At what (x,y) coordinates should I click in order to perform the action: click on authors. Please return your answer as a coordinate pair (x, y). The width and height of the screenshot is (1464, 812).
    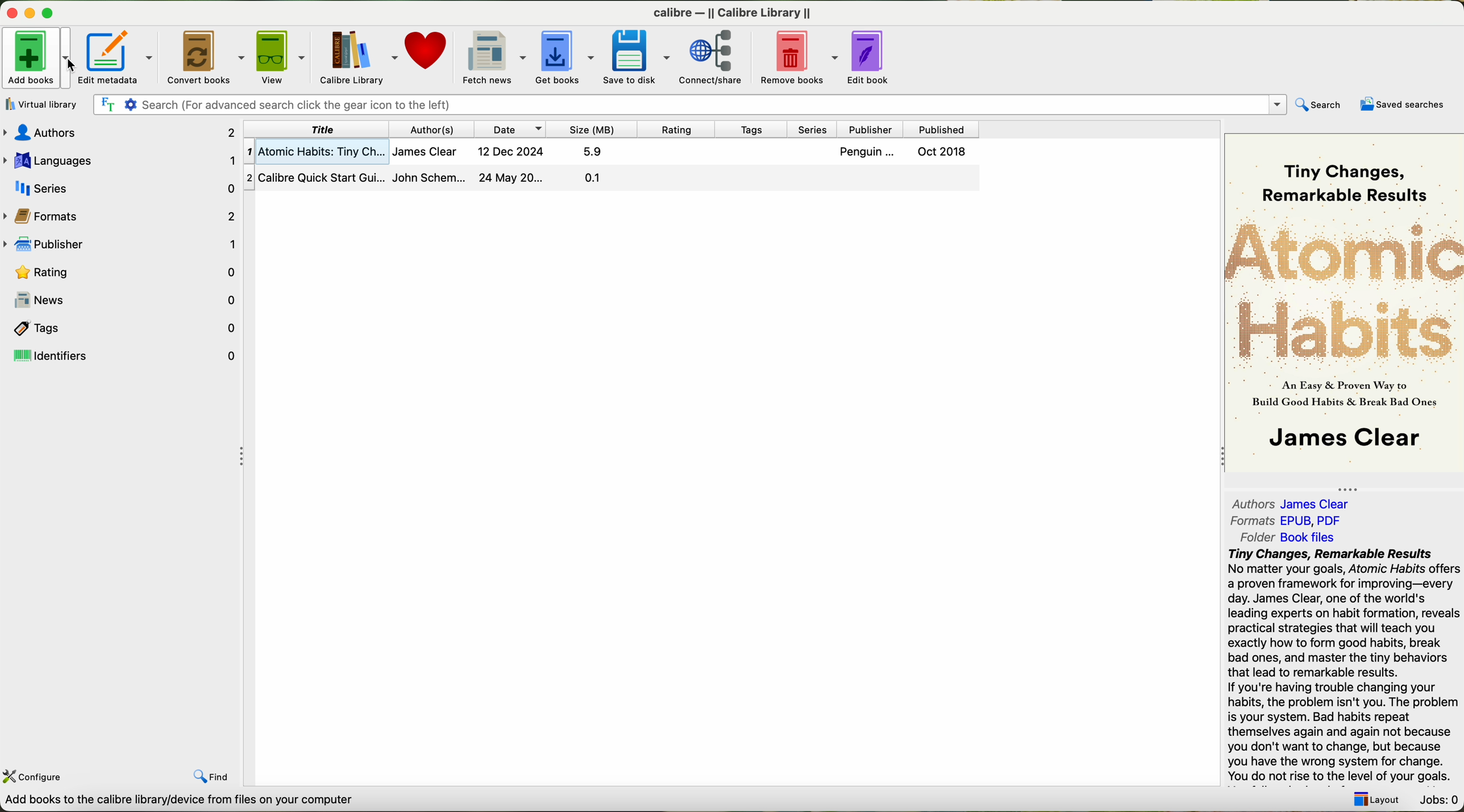
    Looking at the image, I should click on (1296, 503).